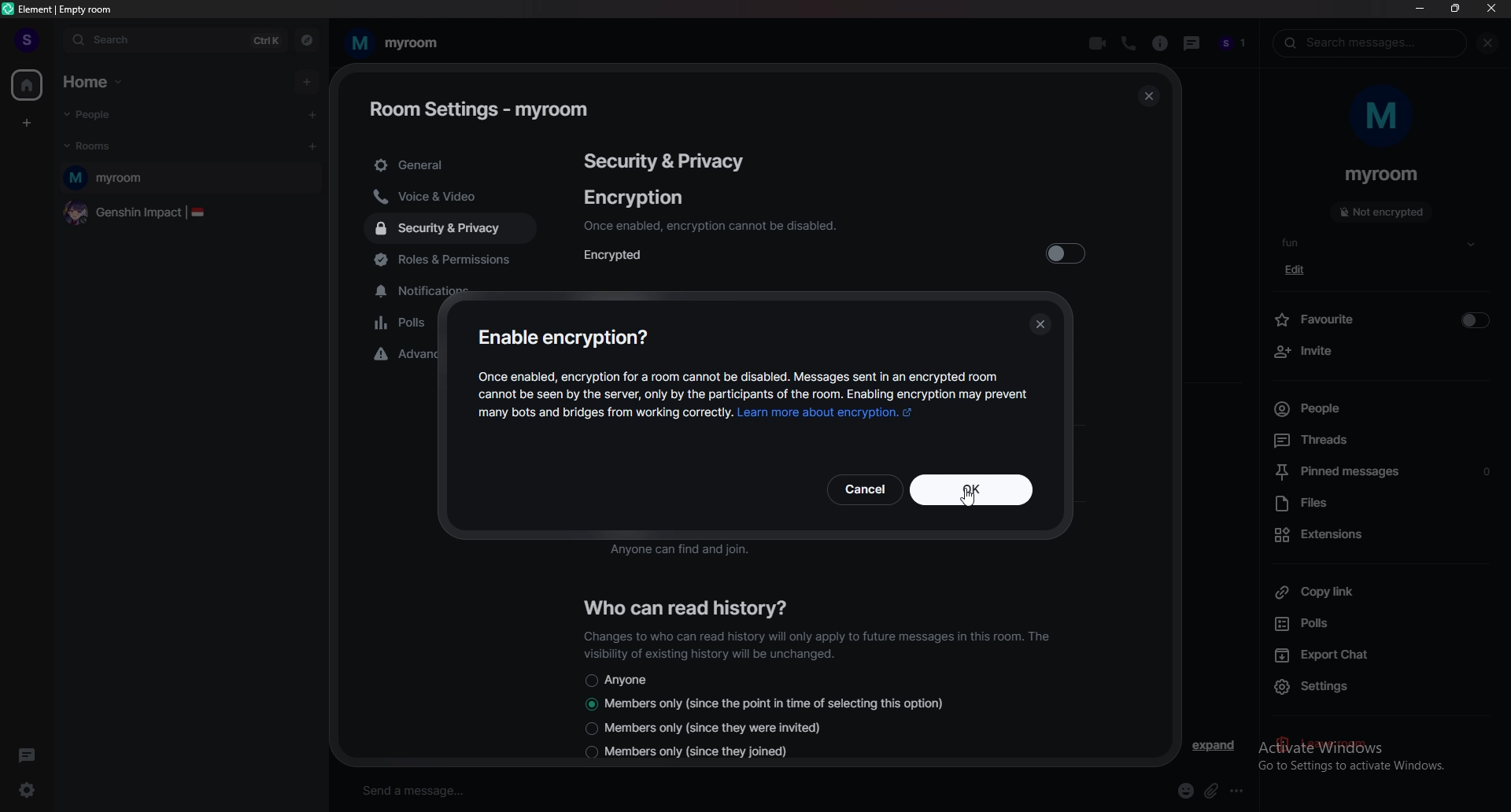 The height and width of the screenshot is (812, 1511). I want to click on resize, so click(1455, 9).